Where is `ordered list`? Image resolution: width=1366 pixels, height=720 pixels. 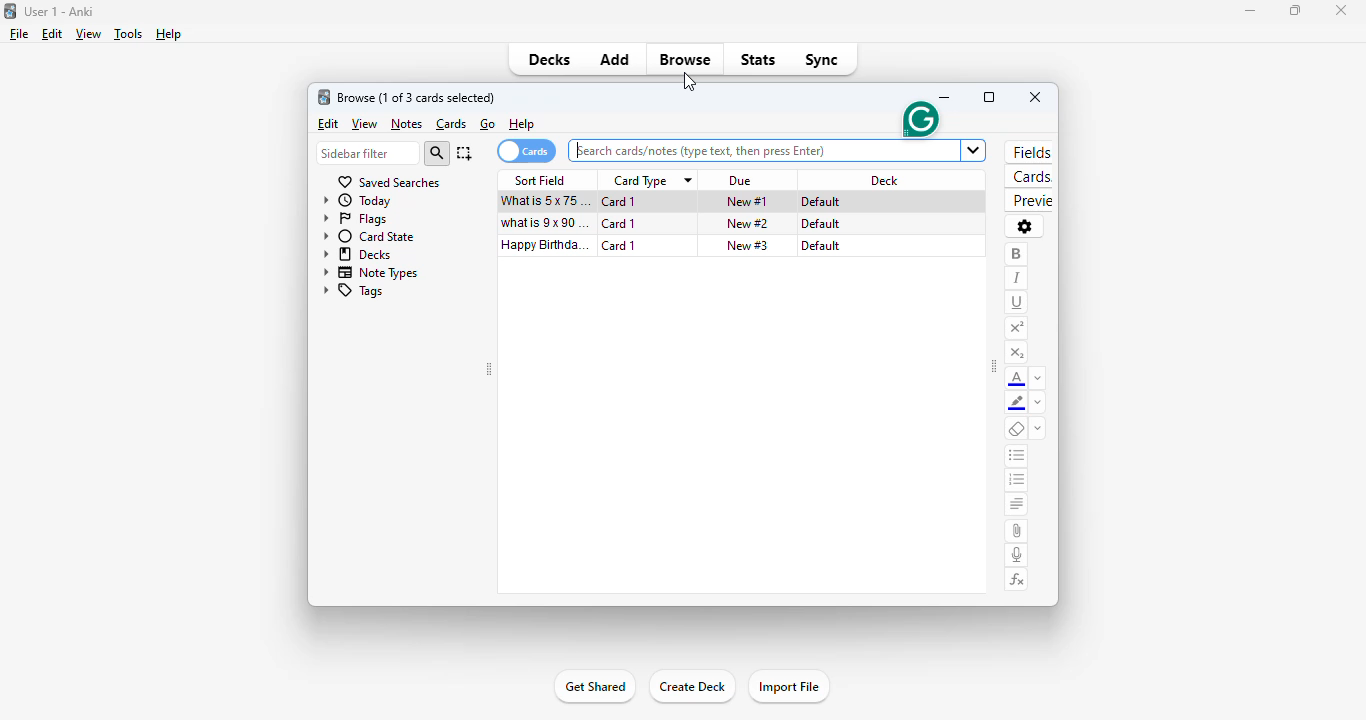
ordered list is located at coordinates (1016, 480).